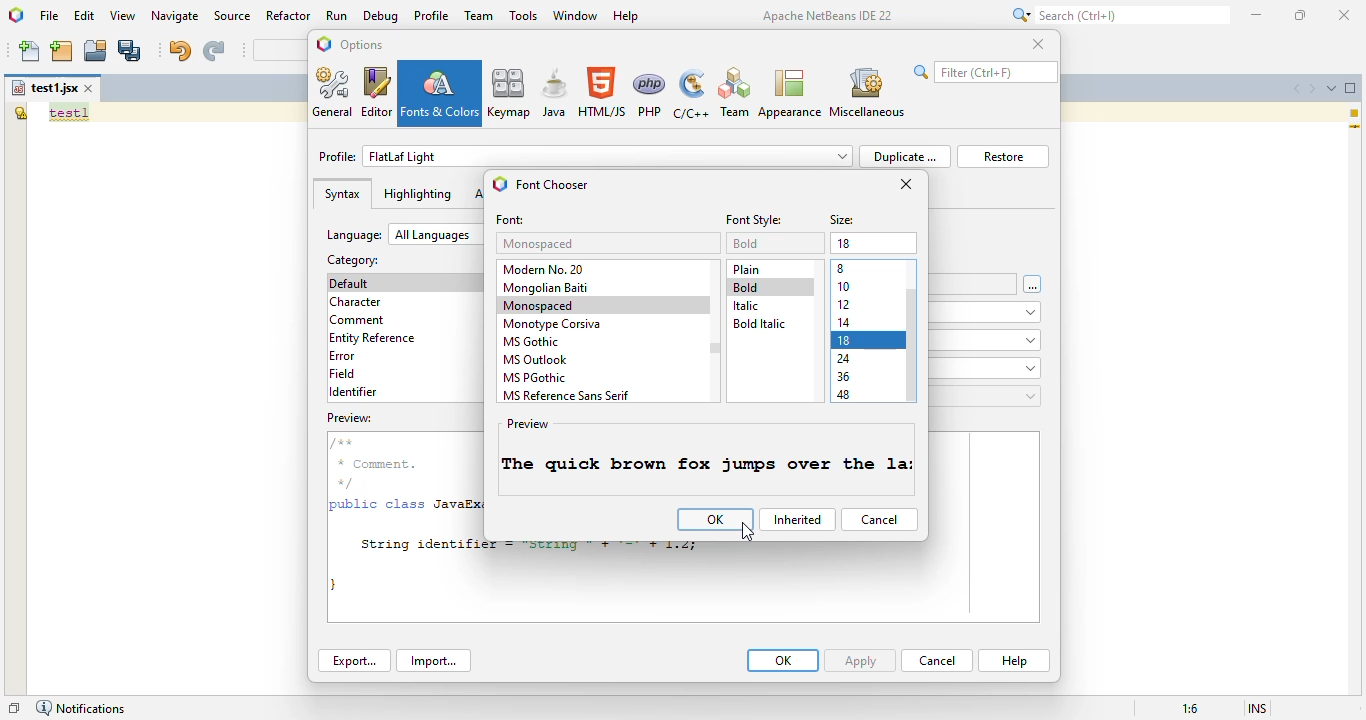 This screenshot has width=1366, height=720. Describe the element at coordinates (96, 51) in the screenshot. I see `open project` at that location.